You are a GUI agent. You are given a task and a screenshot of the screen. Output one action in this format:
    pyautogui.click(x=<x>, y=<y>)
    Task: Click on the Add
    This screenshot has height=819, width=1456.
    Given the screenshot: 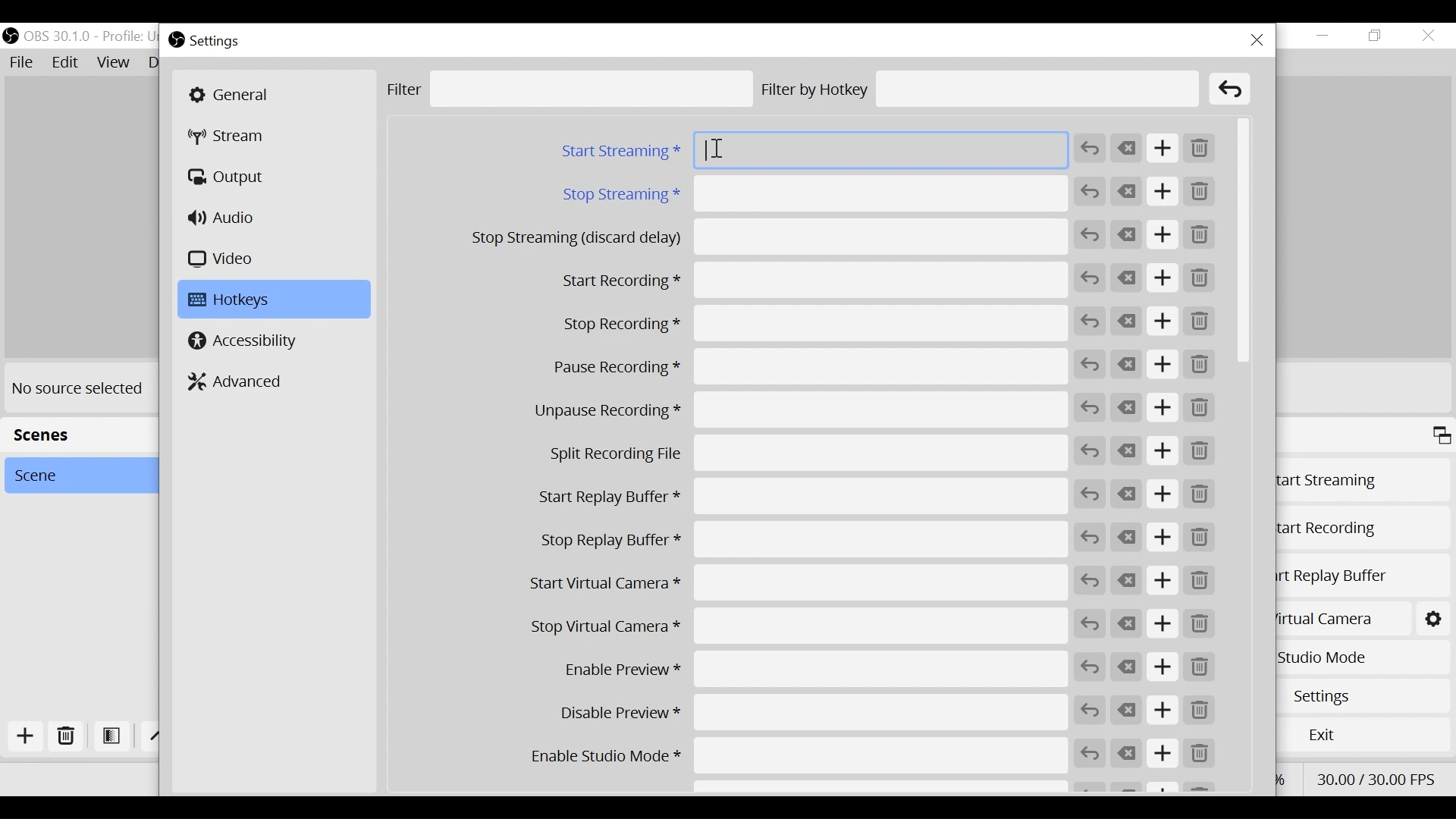 What is the action you would take?
    pyautogui.click(x=1163, y=149)
    